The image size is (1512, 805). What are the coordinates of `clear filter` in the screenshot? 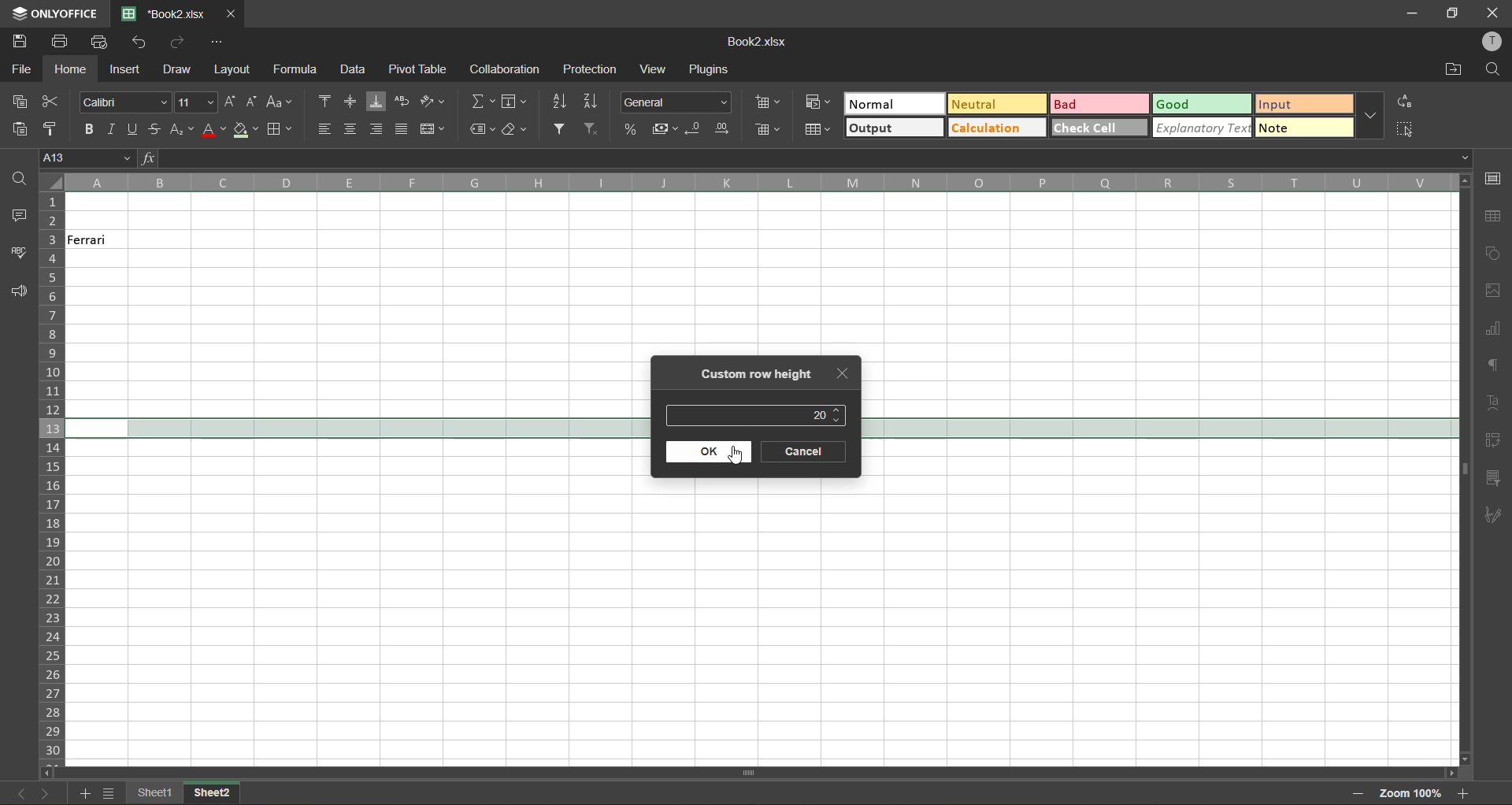 It's located at (593, 131).